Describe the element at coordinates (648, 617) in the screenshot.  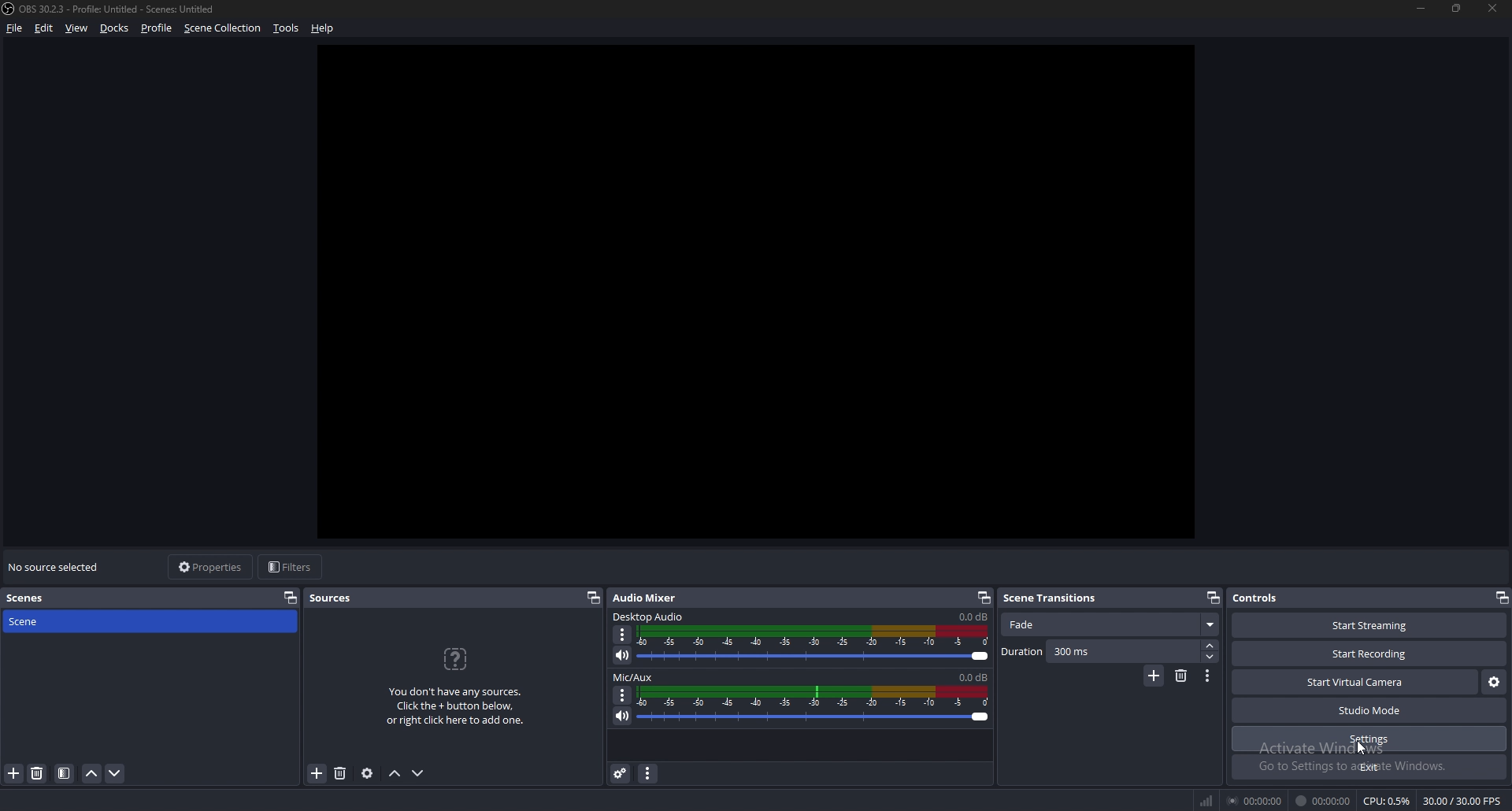
I see `desktop audio` at that location.